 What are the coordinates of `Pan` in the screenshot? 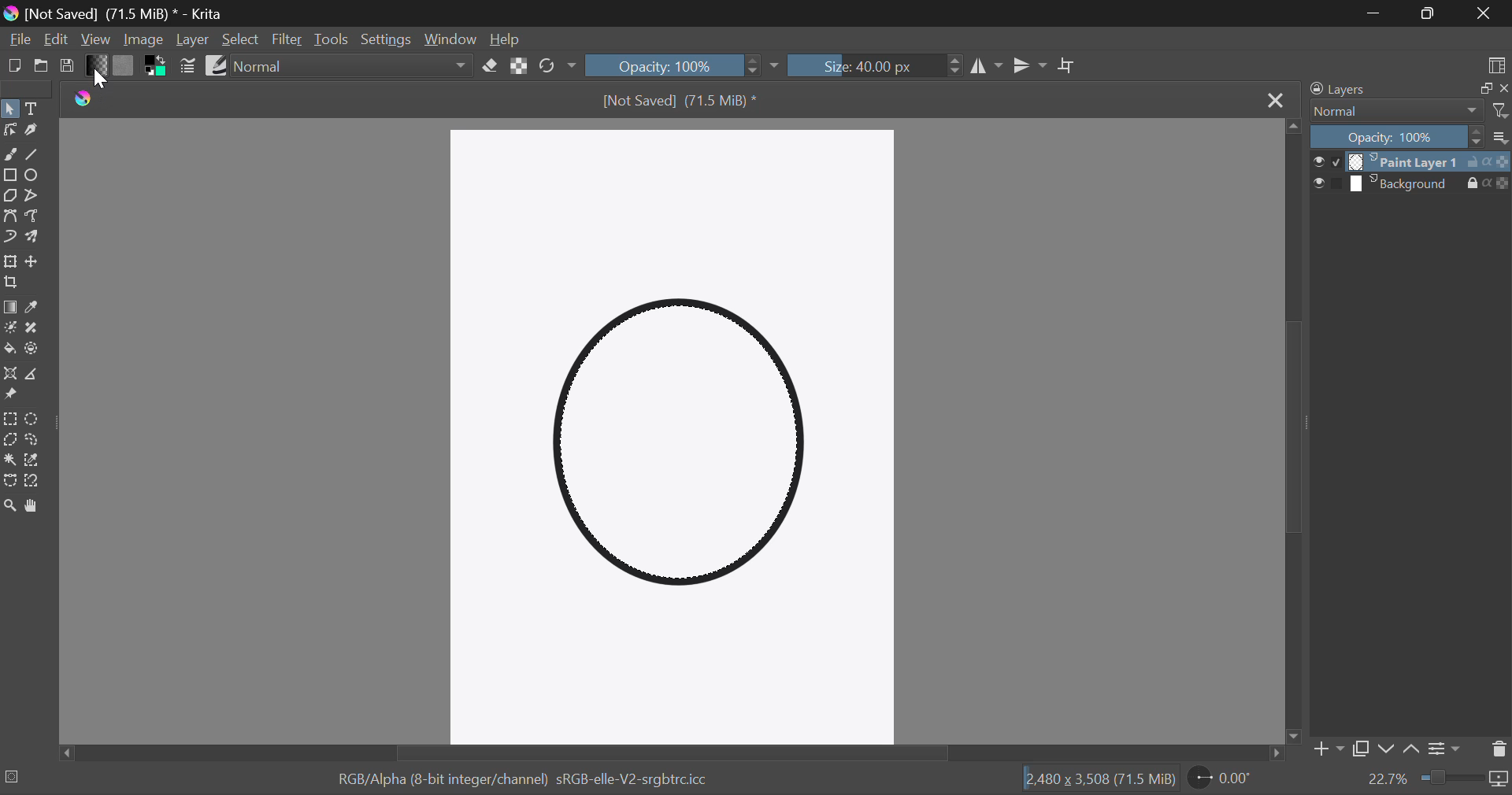 It's located at (35, 507).